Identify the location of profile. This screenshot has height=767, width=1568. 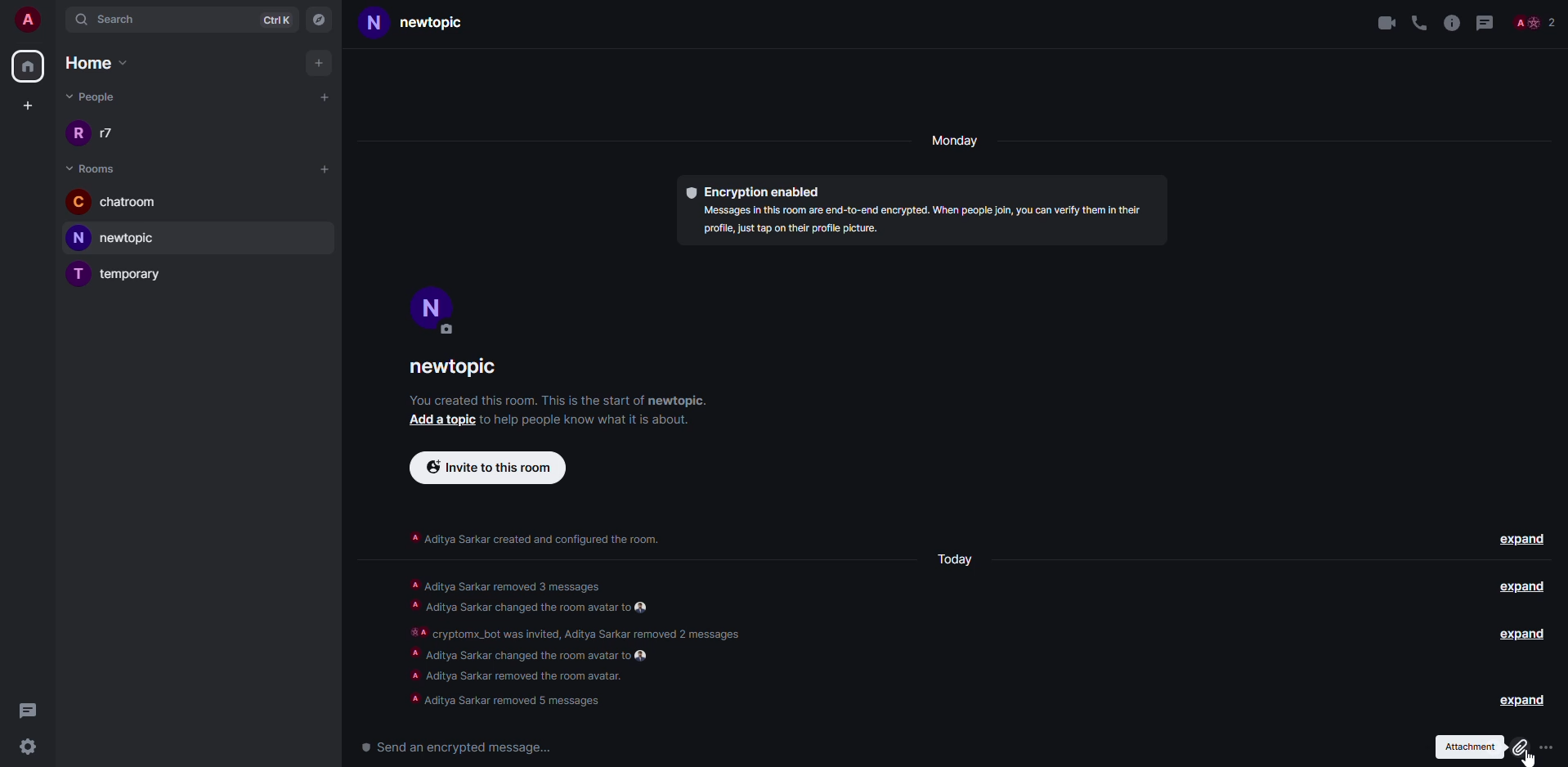
(435, 308).